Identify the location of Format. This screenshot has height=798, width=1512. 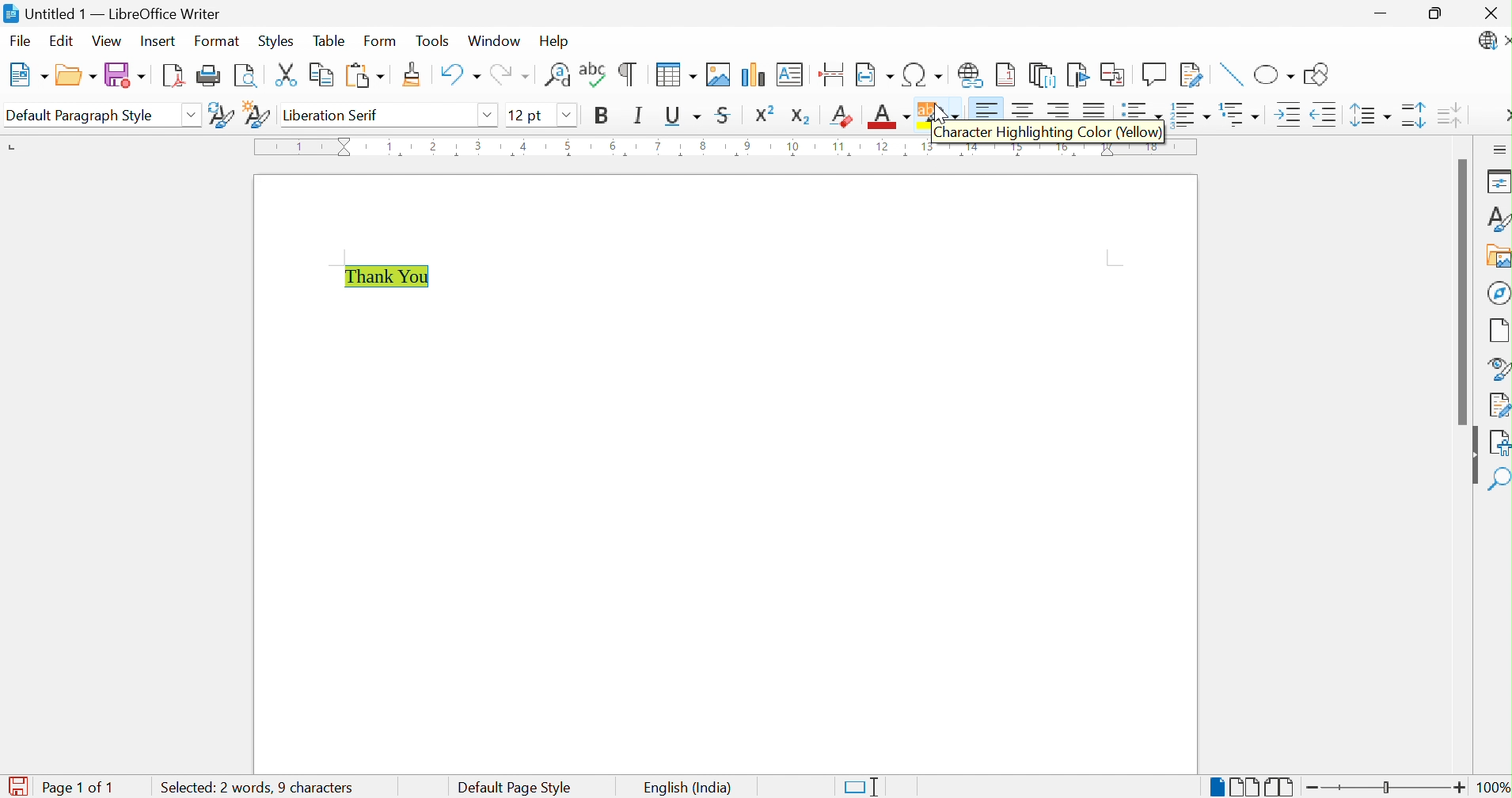
(218, 42).